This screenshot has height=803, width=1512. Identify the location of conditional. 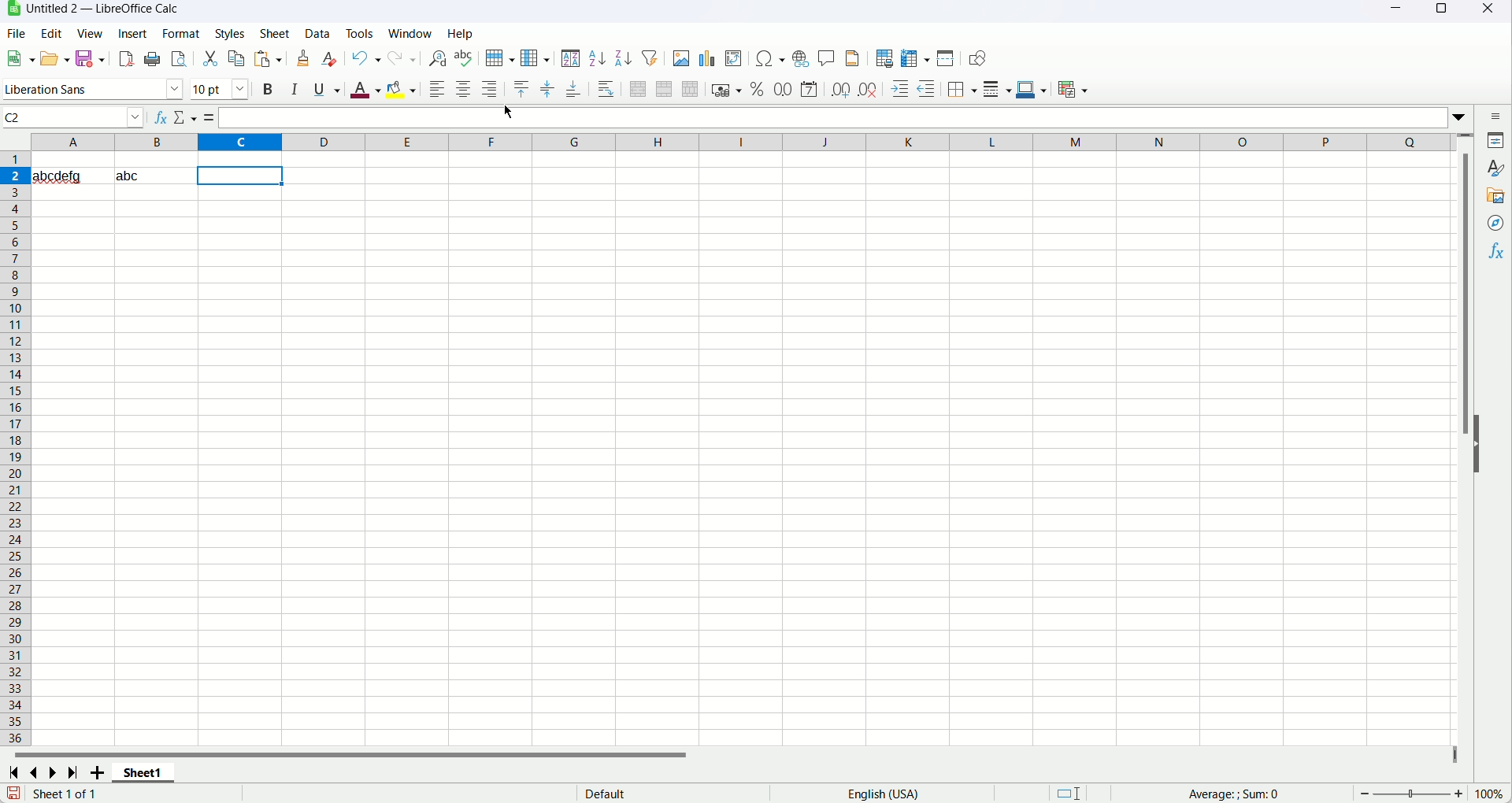
(1073, 91).